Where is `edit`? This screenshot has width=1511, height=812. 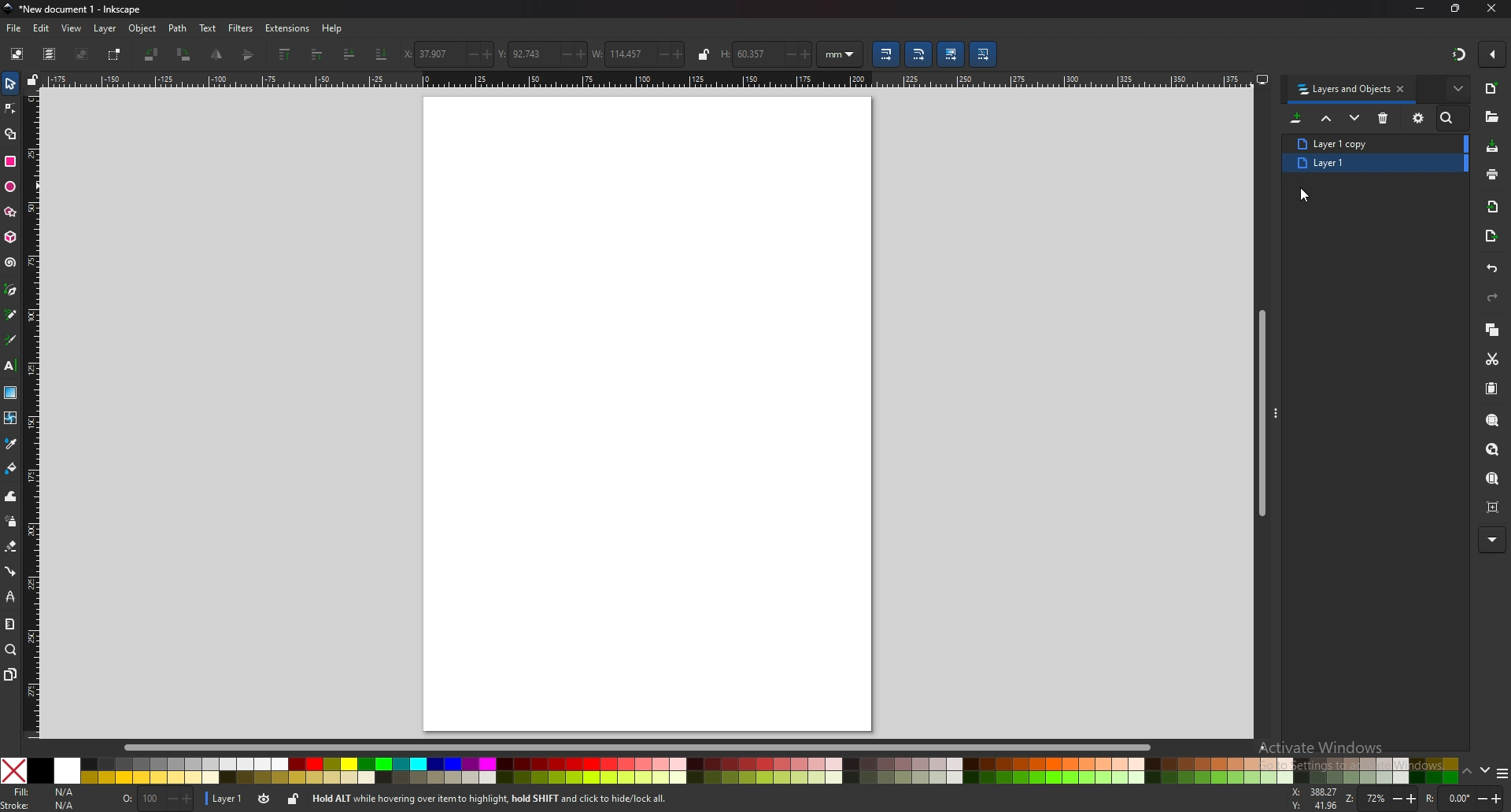 edit is located at coordinates (42, 28).